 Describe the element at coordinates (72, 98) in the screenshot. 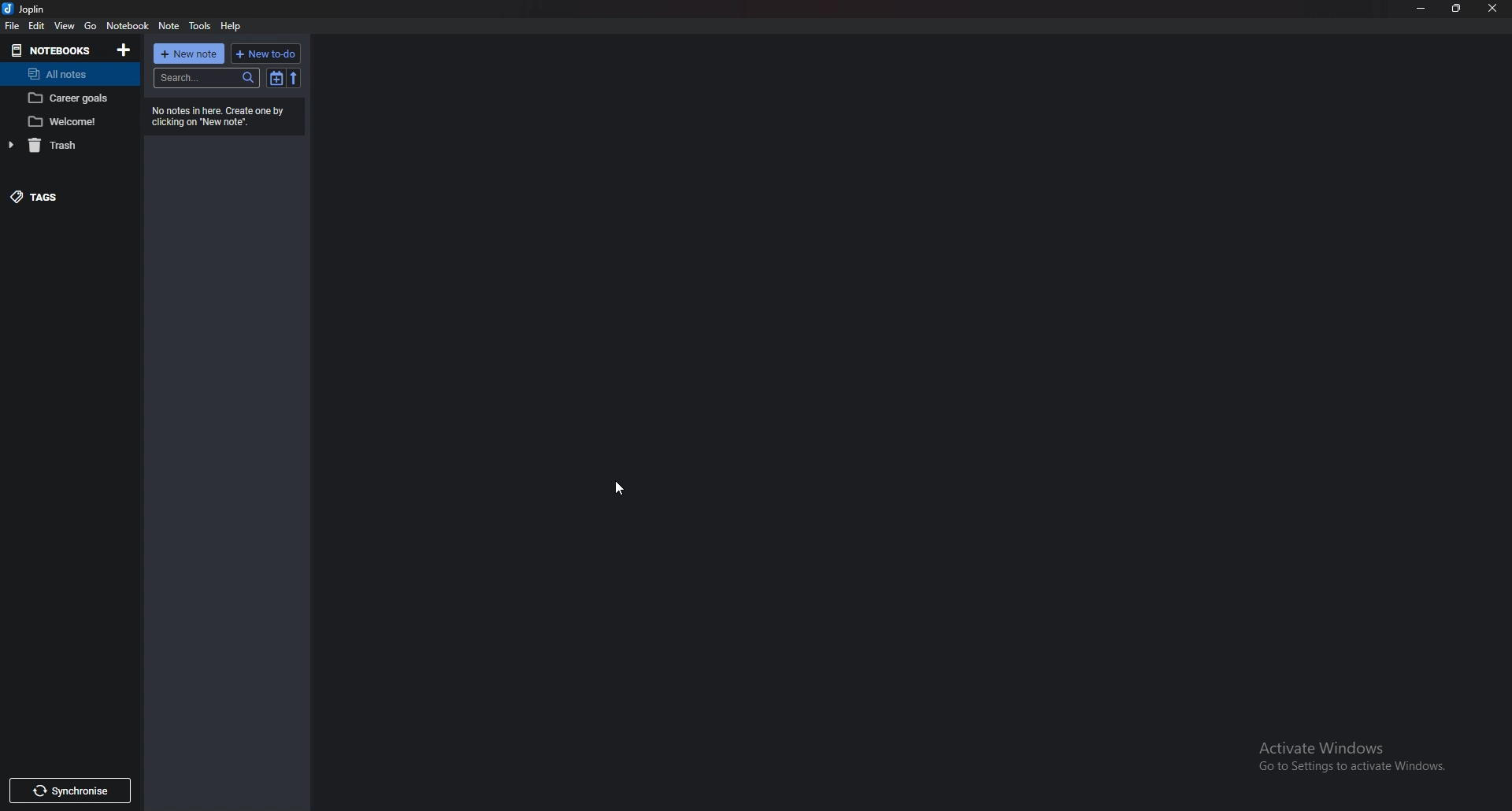

I see `notebook` at that location.